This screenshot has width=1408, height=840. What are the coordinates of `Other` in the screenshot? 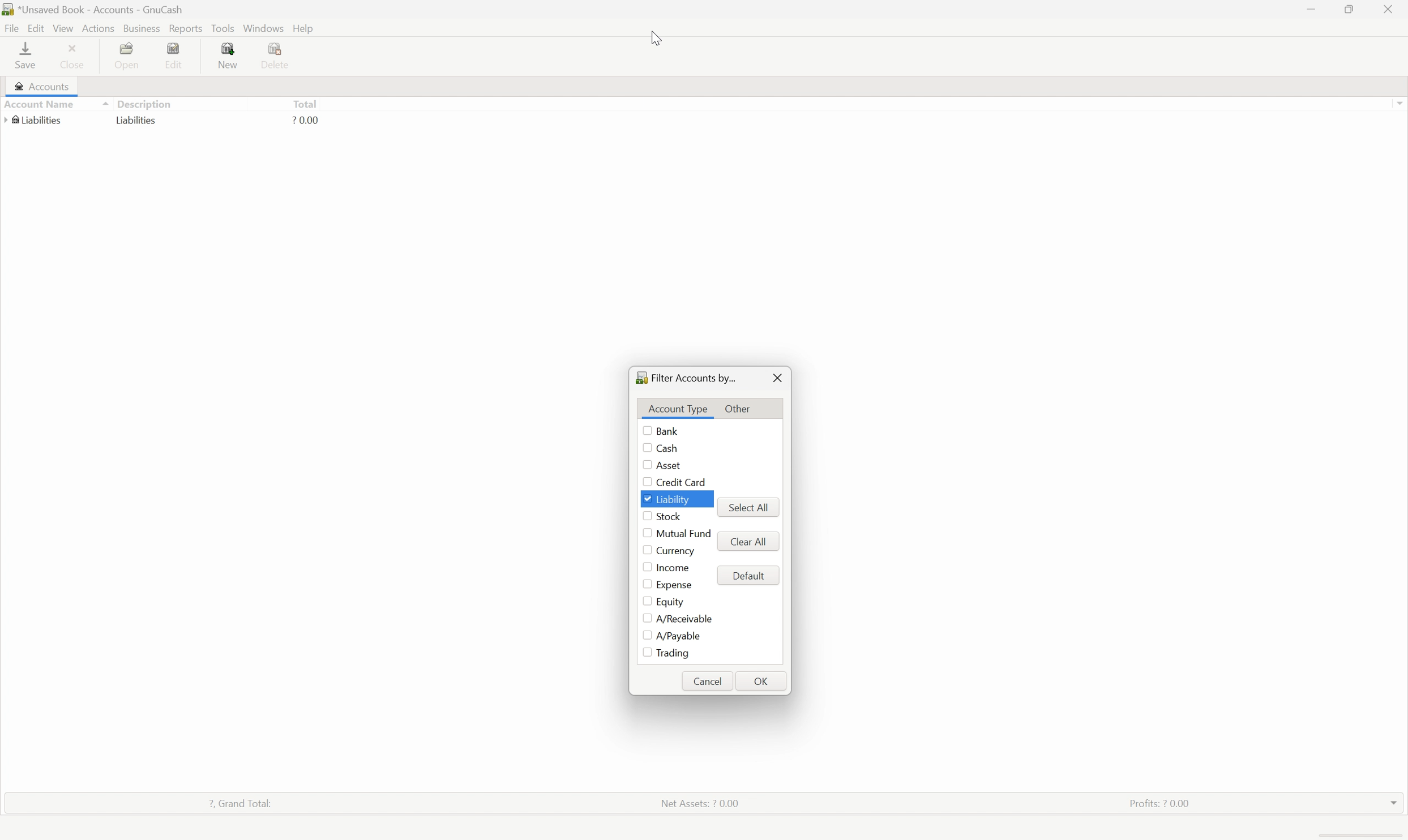 It's located at (739, 408).